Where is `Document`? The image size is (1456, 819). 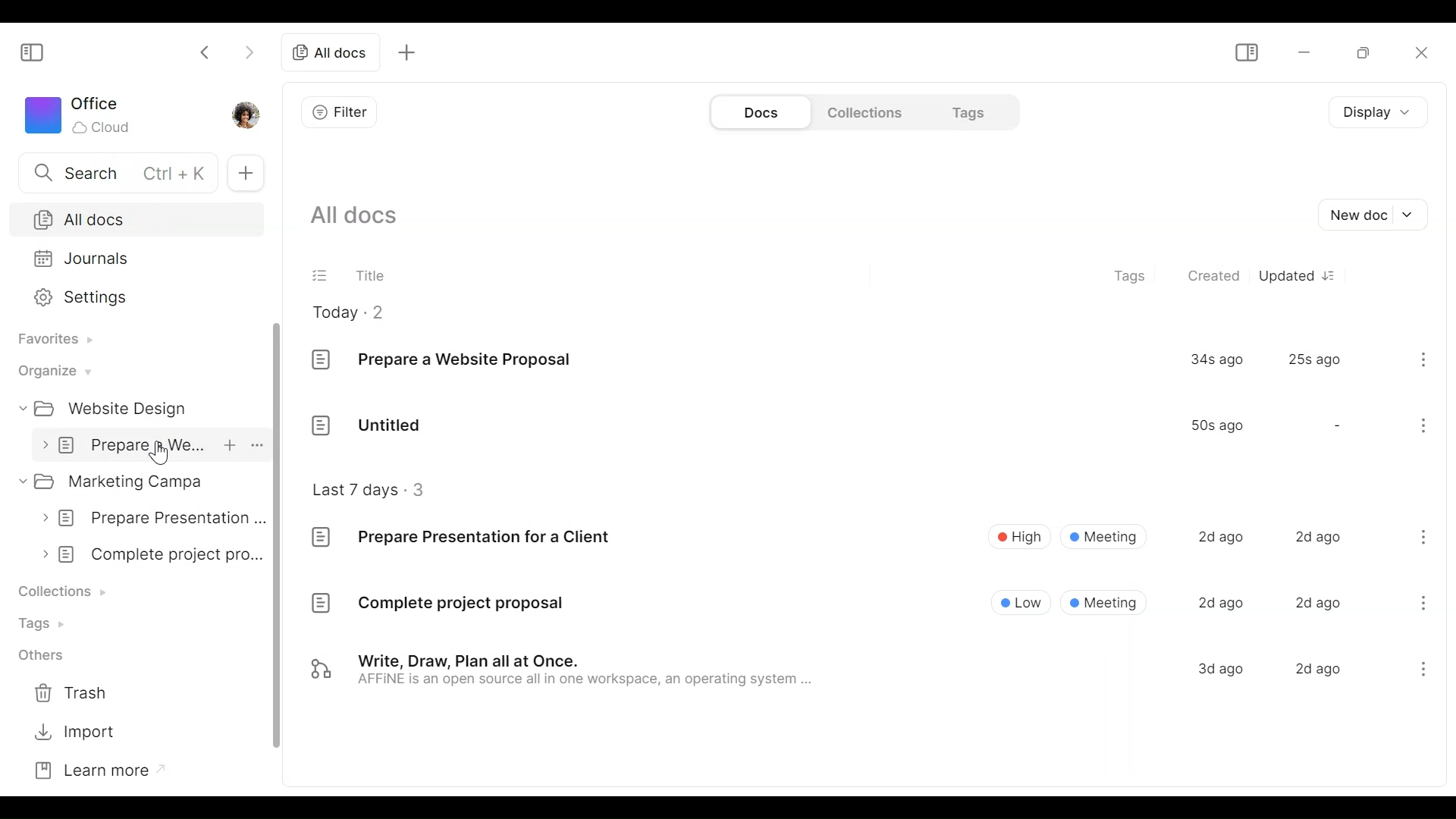 Document is located at coordinates (151, 445).